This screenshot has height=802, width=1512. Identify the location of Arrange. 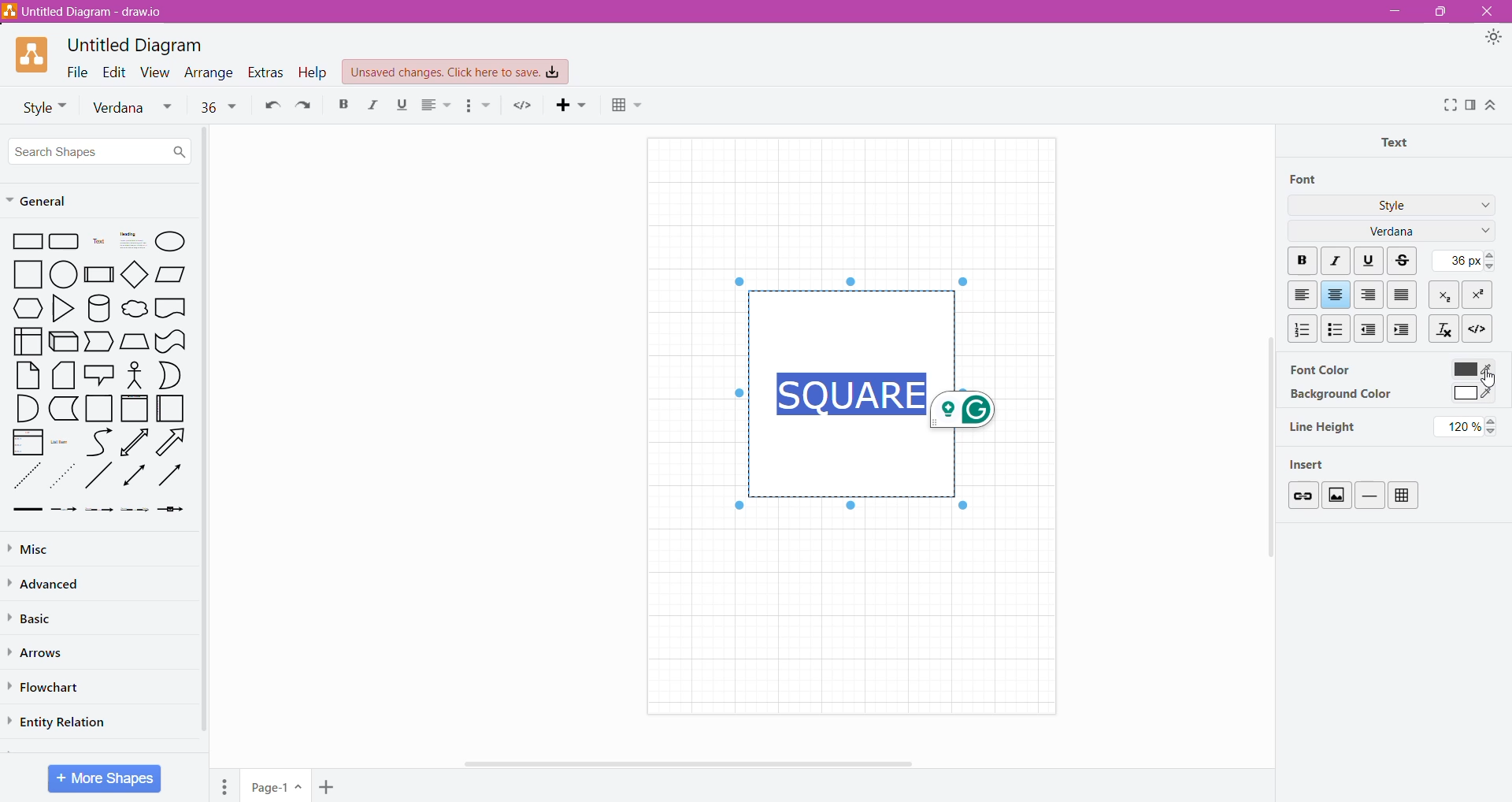
(210, 72).